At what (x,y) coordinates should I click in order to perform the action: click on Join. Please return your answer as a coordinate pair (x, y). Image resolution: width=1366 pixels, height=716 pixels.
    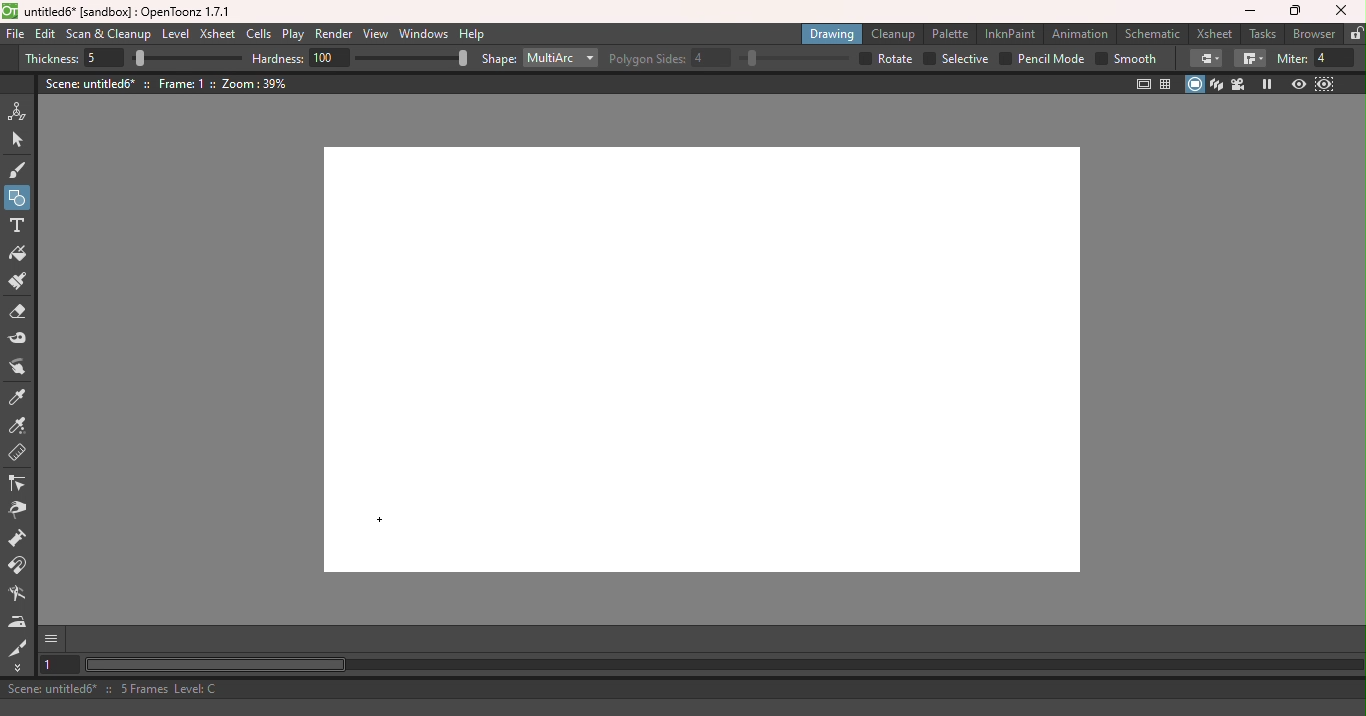
    Looking at the image, I should click on (1249, 59).